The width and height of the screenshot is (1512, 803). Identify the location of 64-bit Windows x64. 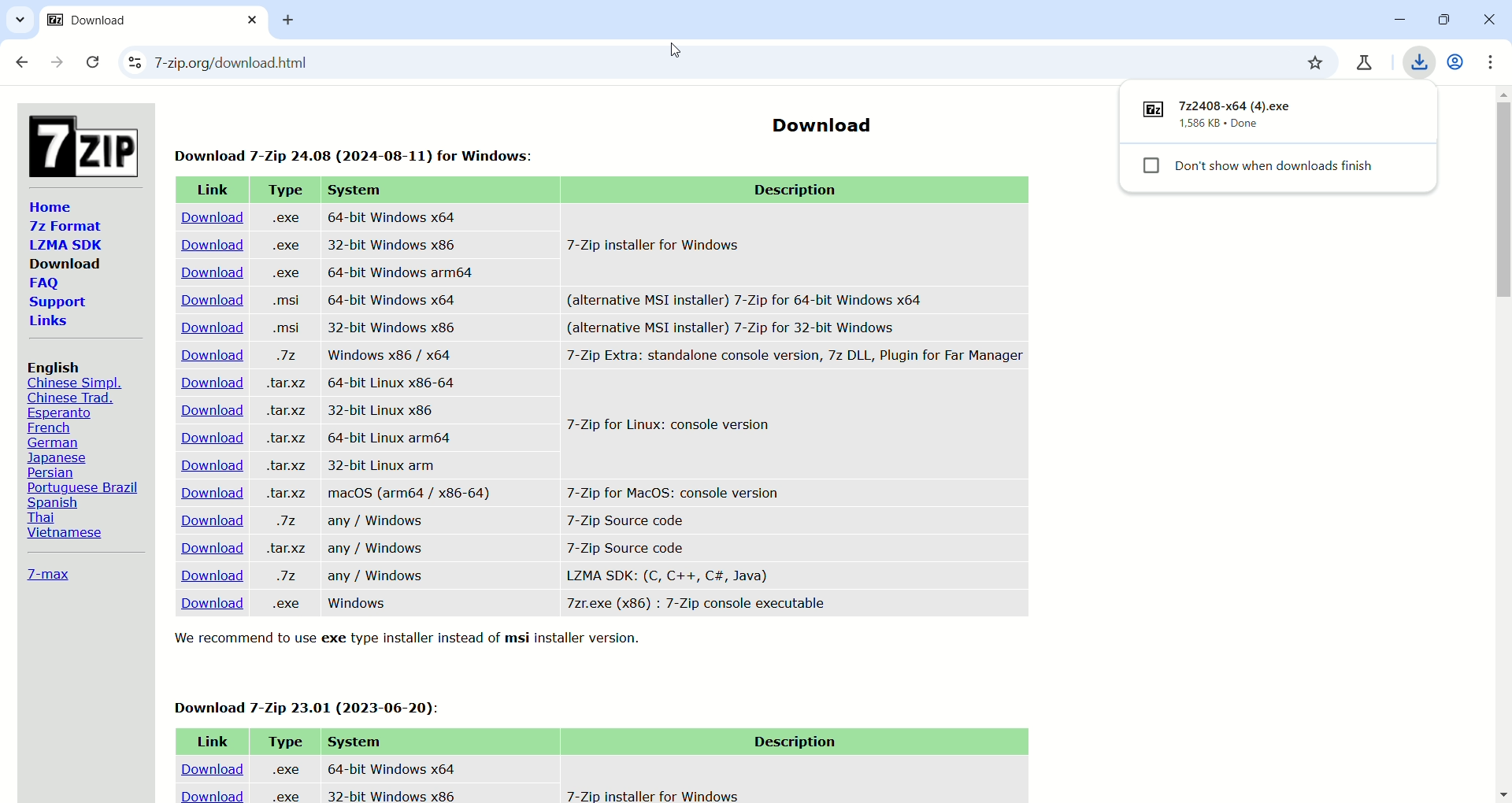
(392, 216).